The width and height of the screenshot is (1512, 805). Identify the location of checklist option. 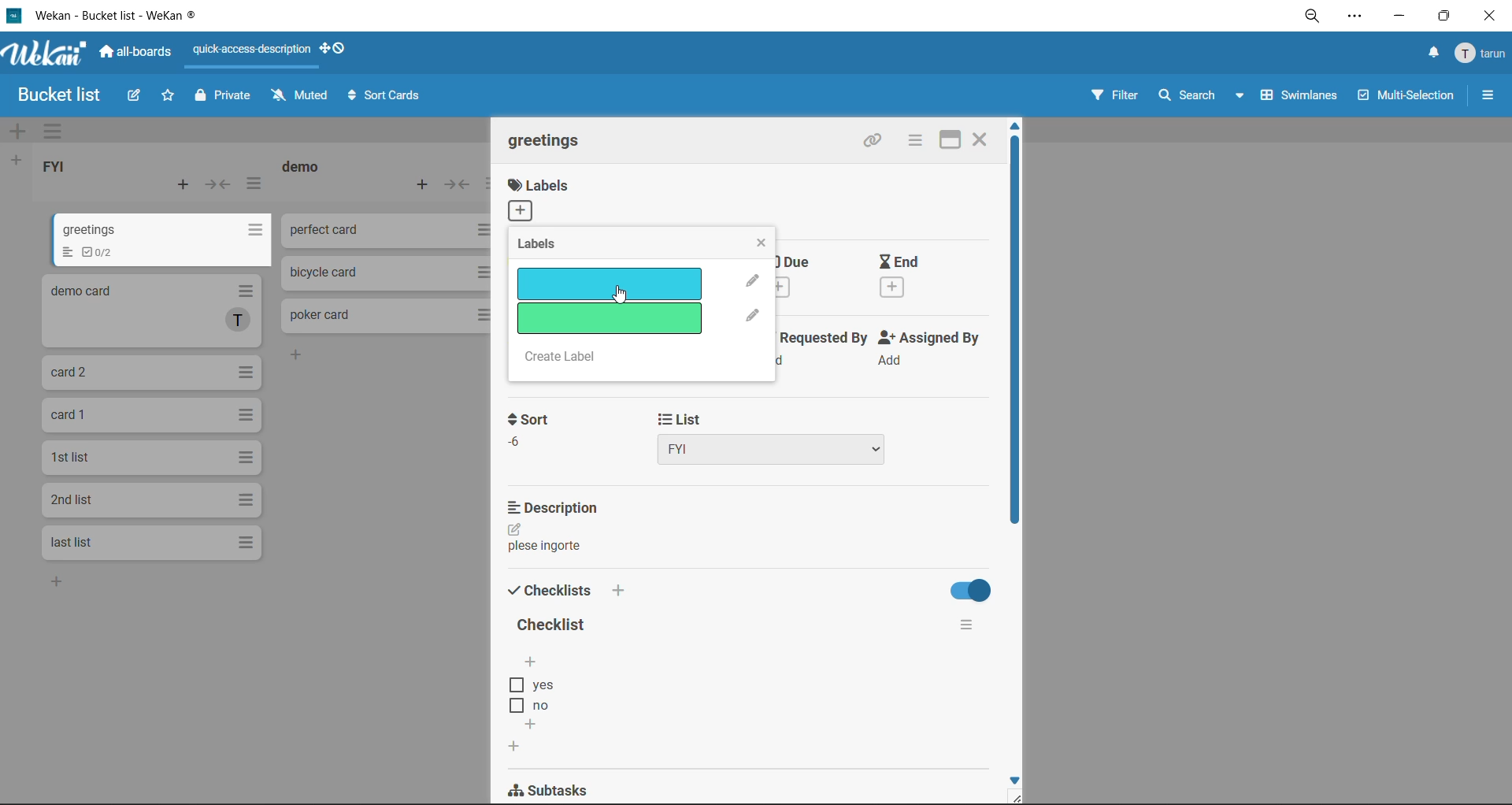
(543, 686).